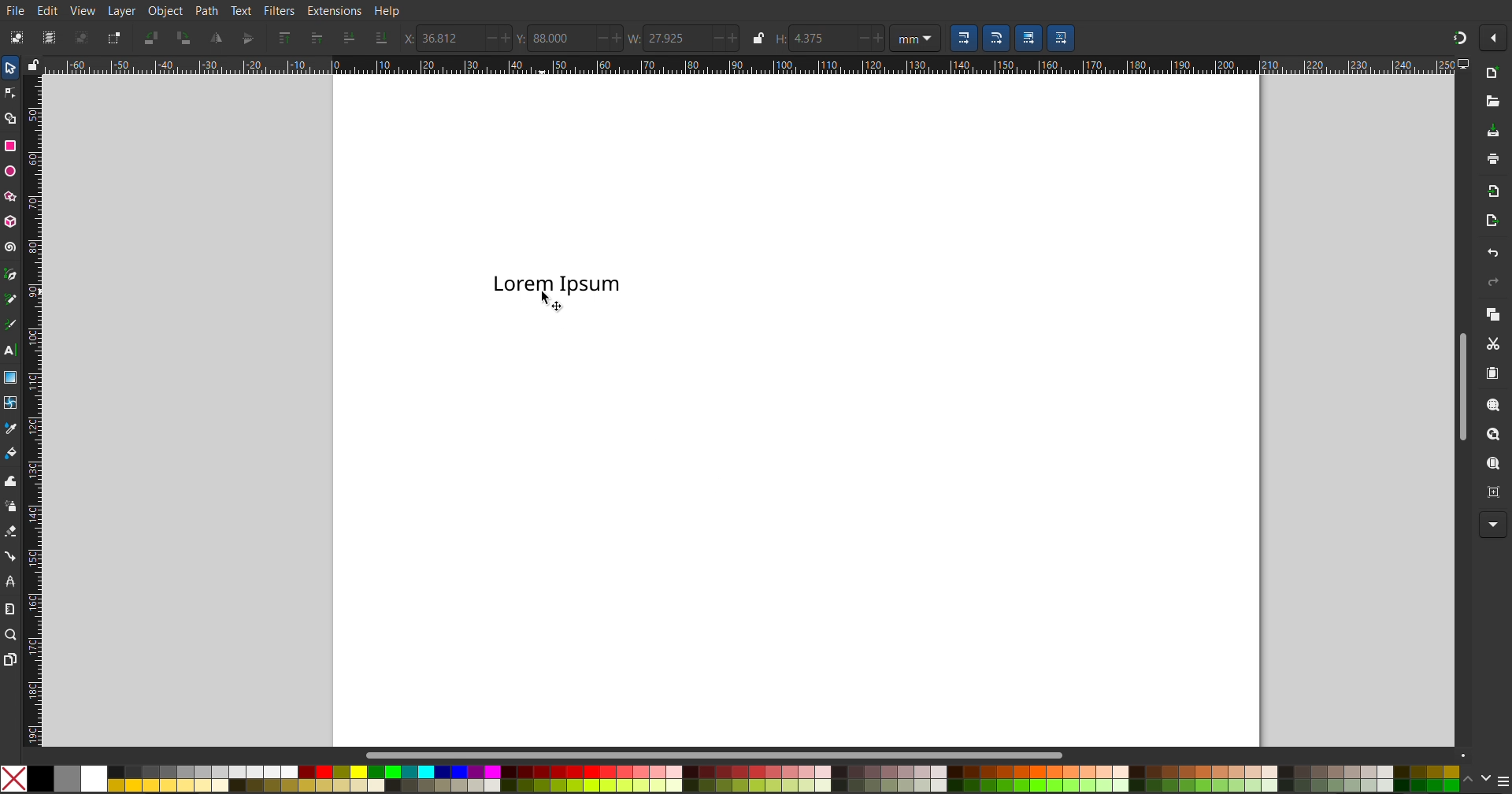 This screenshot has width=1512, height=794. What do you see at coordinates (81, 37) in the screenshot?
I see `Deselected any objects` at bounding box center [81, 37].